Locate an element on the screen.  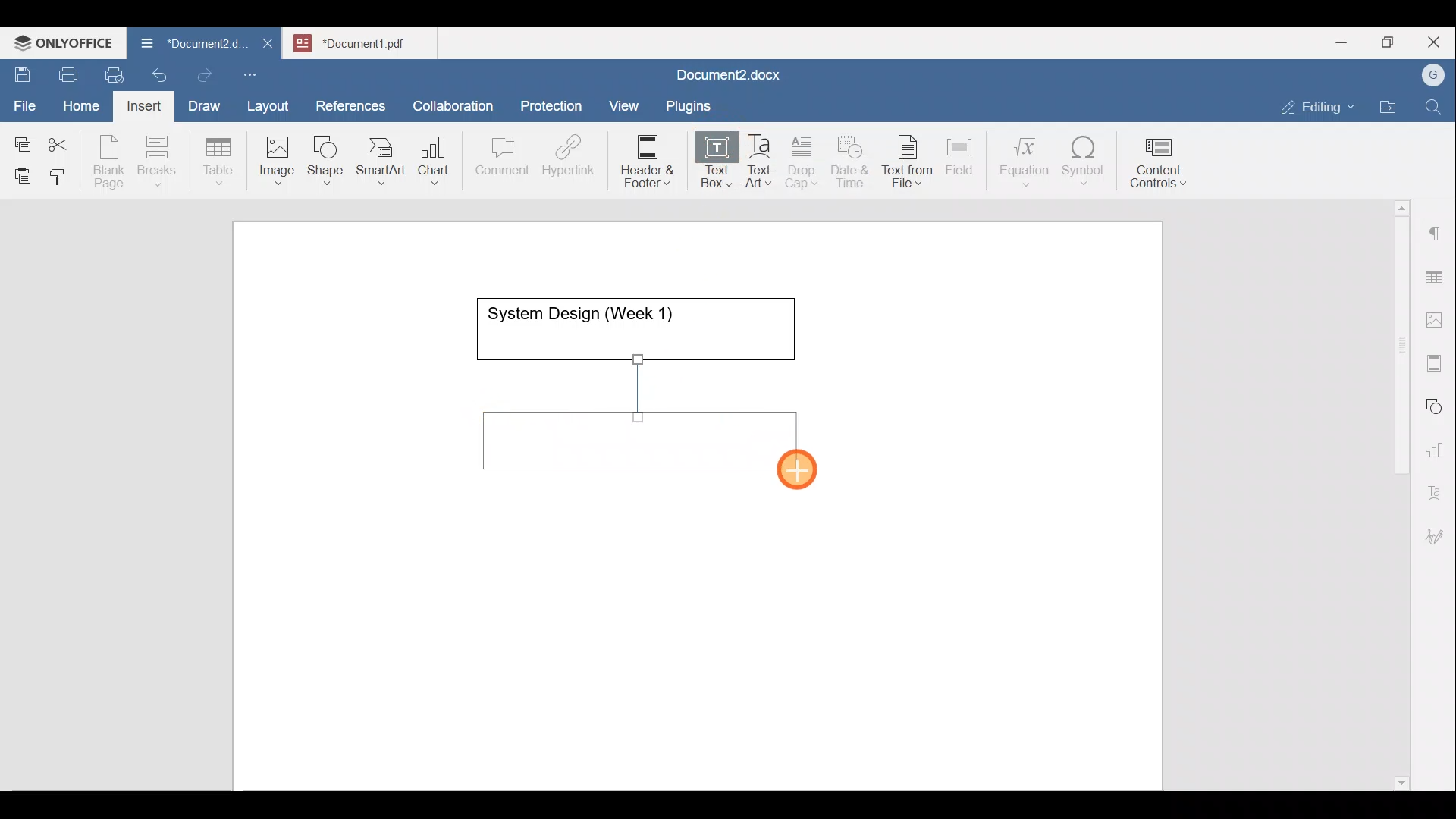
Chart settings is located at coordinates (1438, 444).